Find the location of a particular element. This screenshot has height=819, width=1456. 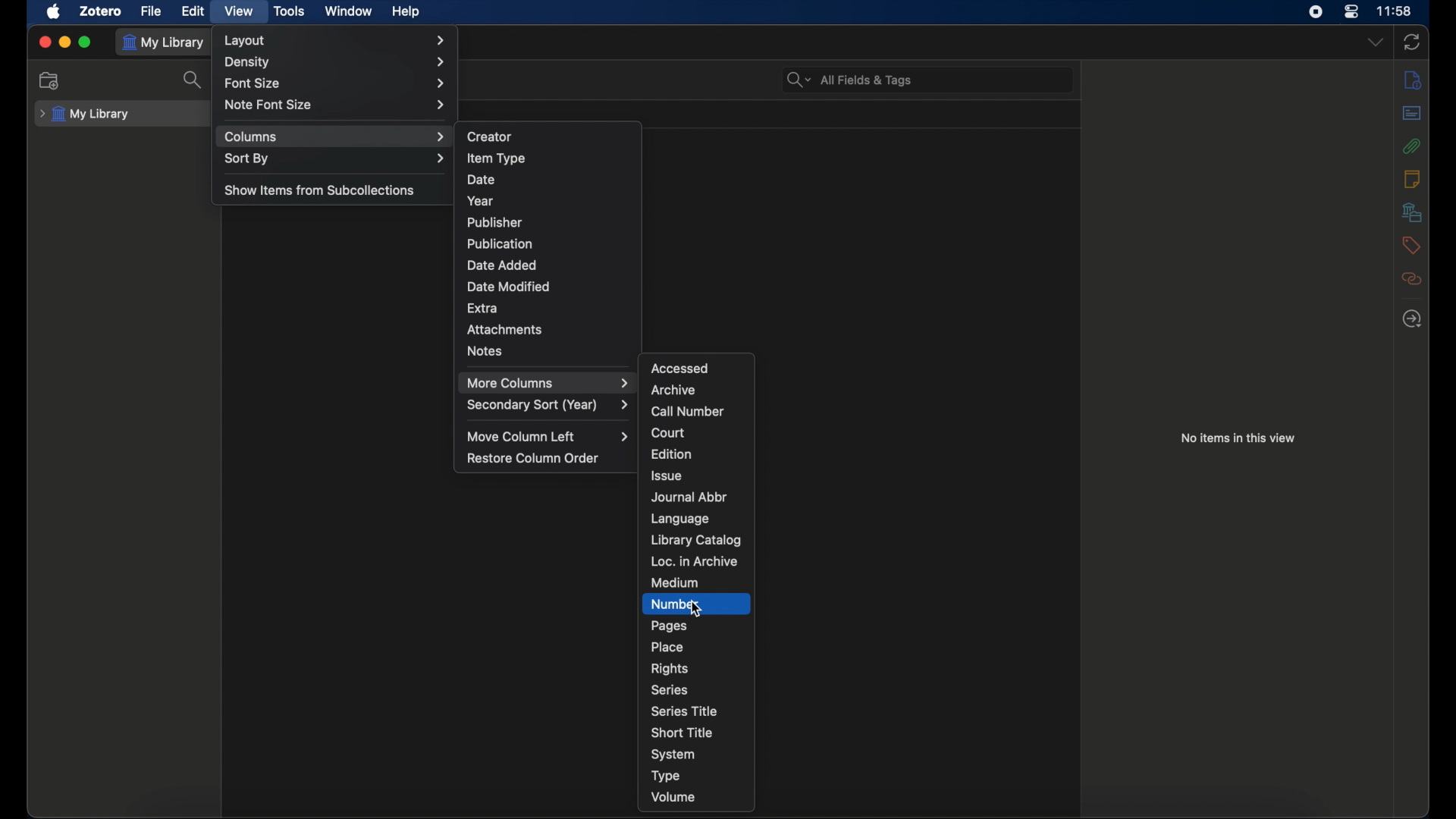

search is located at coordinates (196, 80).